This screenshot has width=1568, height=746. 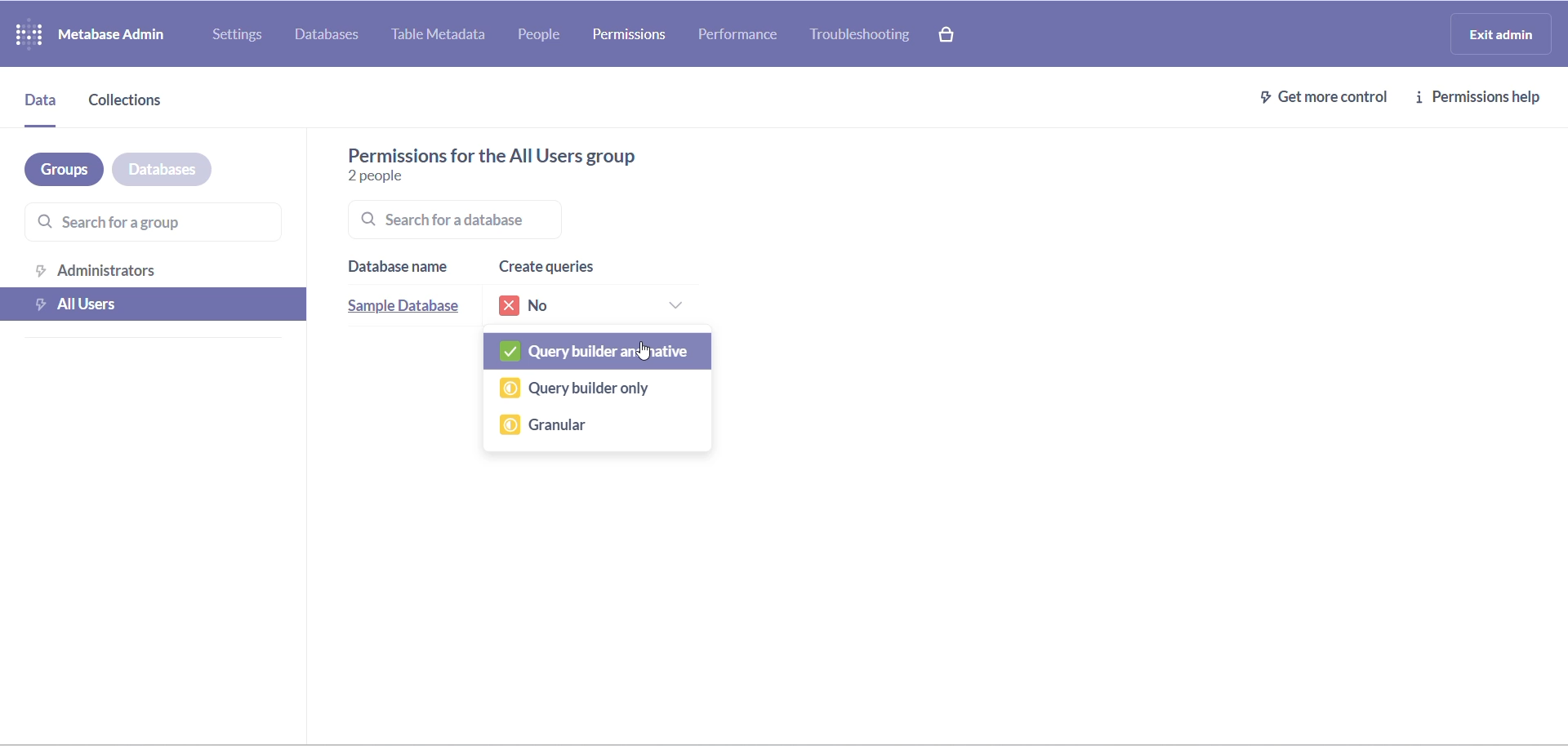 I want to click on databases, so click(x=172, y=170).